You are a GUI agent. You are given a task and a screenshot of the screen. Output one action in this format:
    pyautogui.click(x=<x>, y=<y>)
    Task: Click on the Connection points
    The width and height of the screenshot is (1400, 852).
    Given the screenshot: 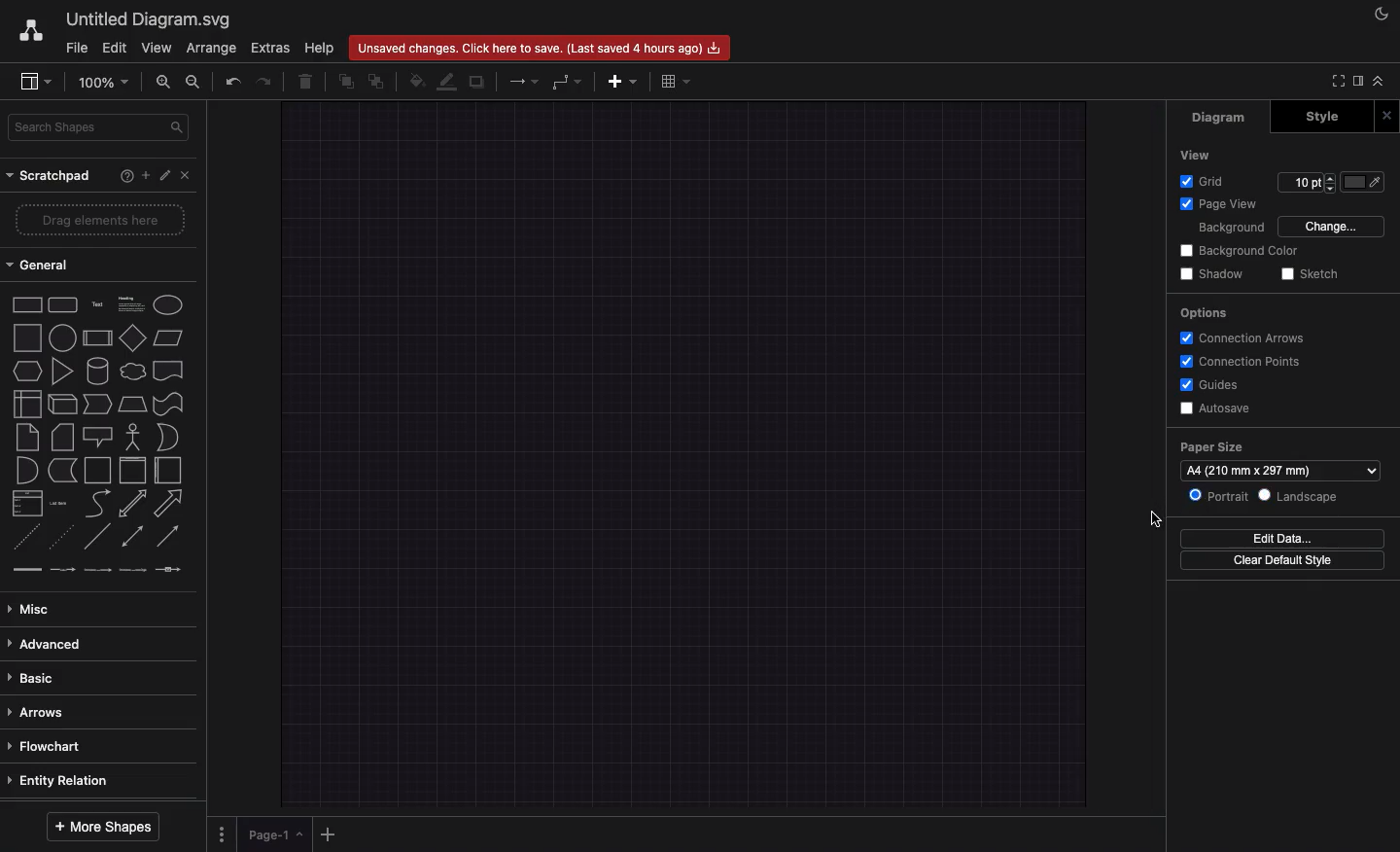 What is the action you would take?
    pyautogui.click(x=1244, y=364)
    